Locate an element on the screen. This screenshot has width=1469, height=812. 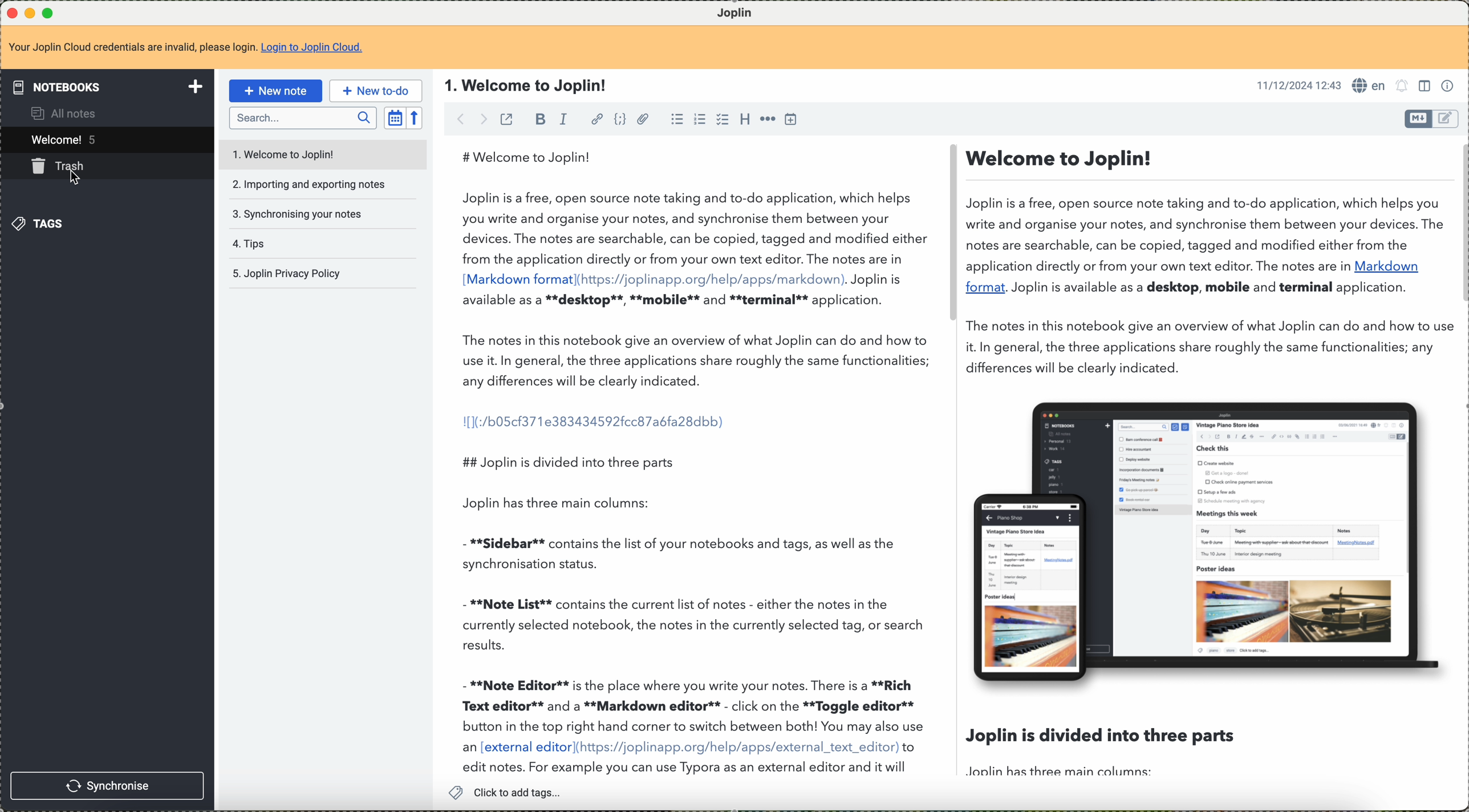
importing and exportin notes is located at coordinates (309, 185).